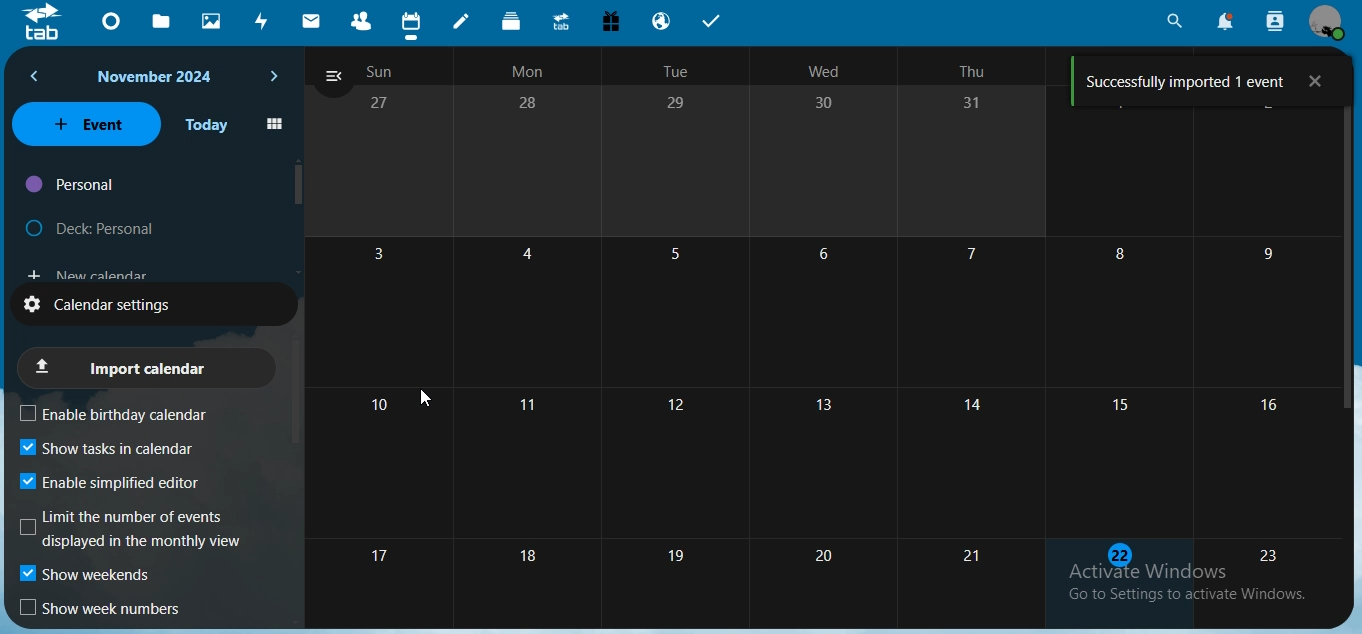 The width and height of the screenshot is (1362, 634). I want to click on notifications, so click(1222, 21).